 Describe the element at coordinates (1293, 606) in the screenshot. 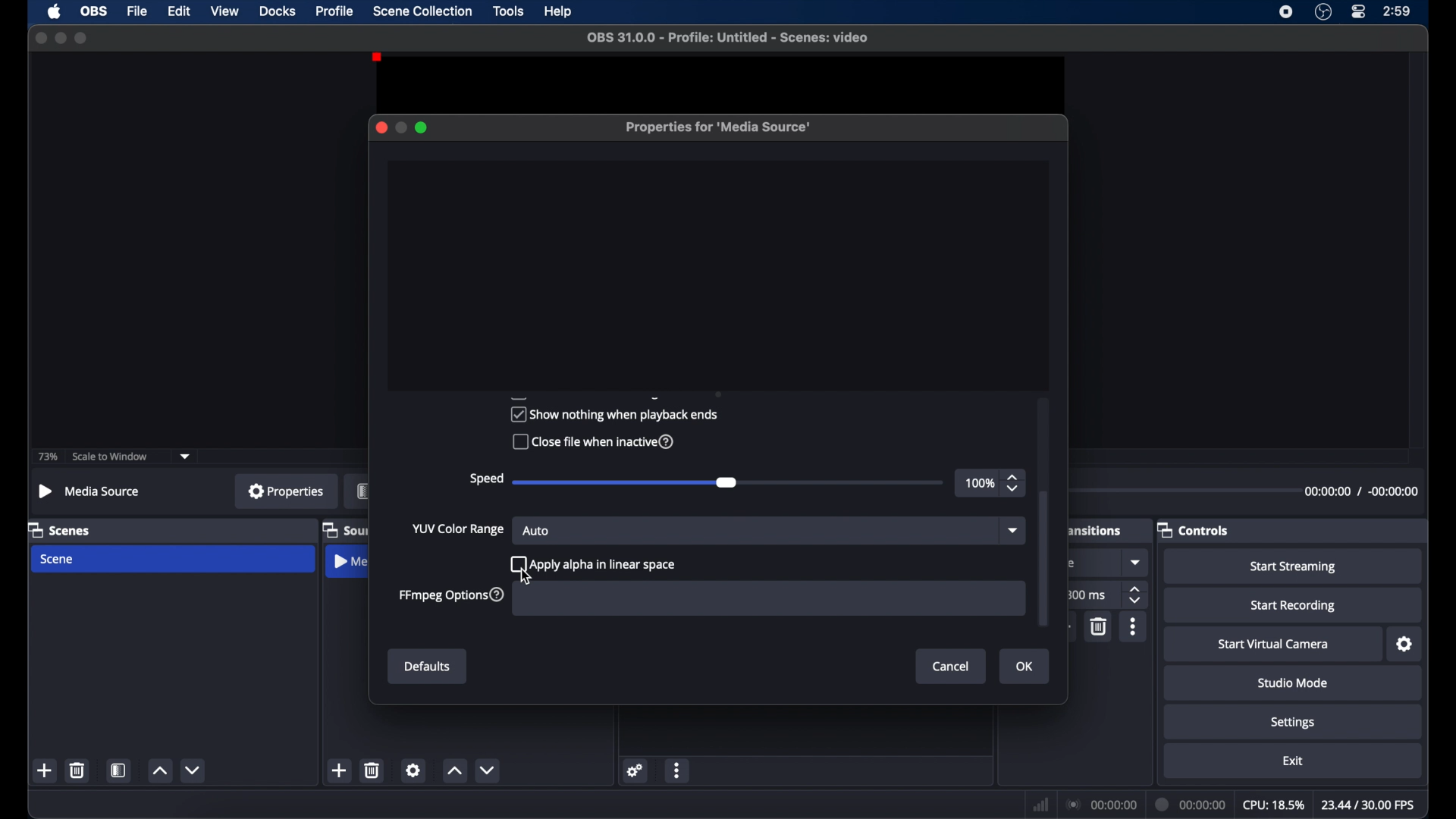

I see `start recording` at that location.